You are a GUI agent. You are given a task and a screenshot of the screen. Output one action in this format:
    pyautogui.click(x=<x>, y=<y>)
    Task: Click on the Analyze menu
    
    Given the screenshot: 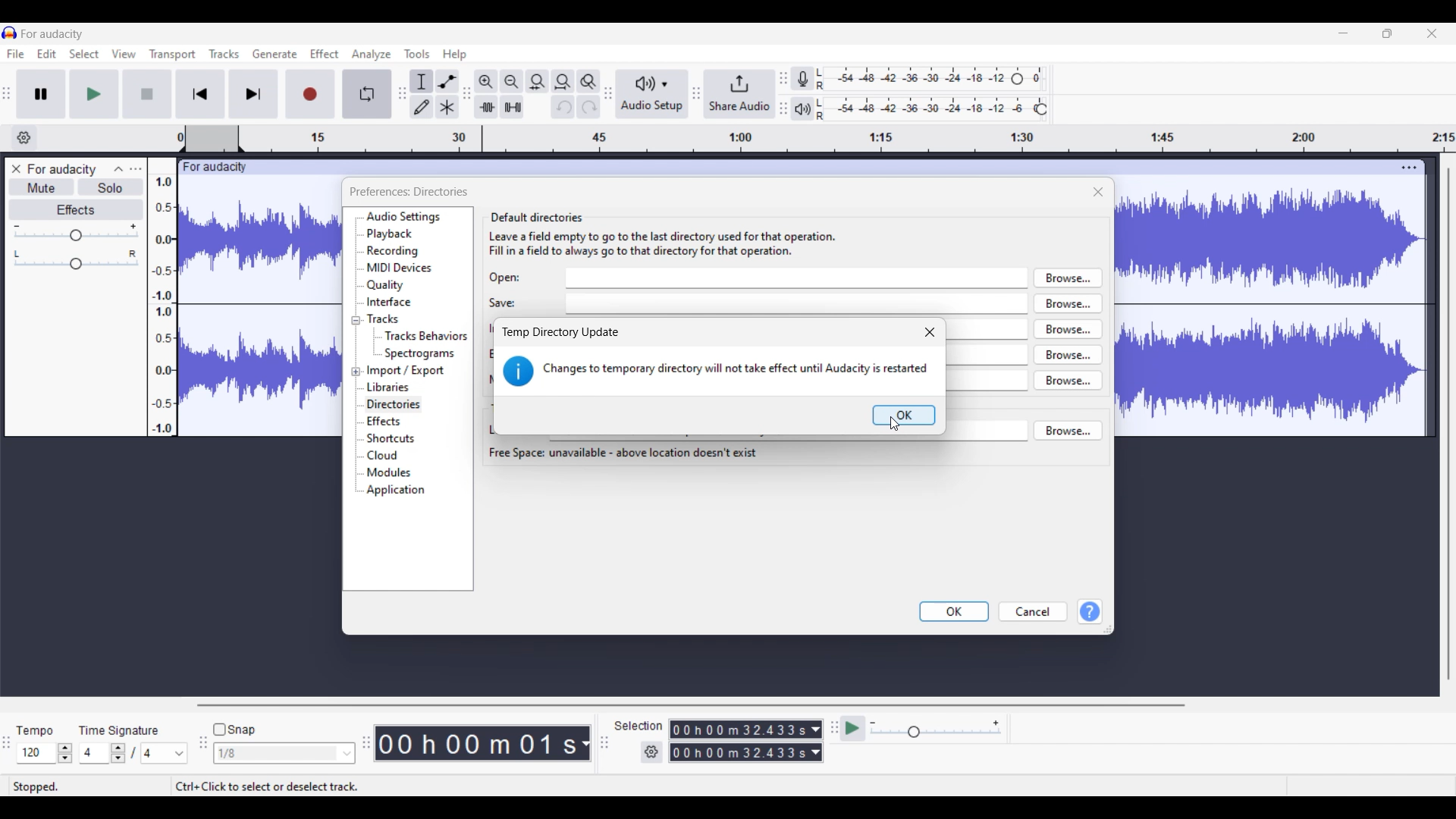 What is the action you would take?
    pyautogui.click(x=372, y=55)
    